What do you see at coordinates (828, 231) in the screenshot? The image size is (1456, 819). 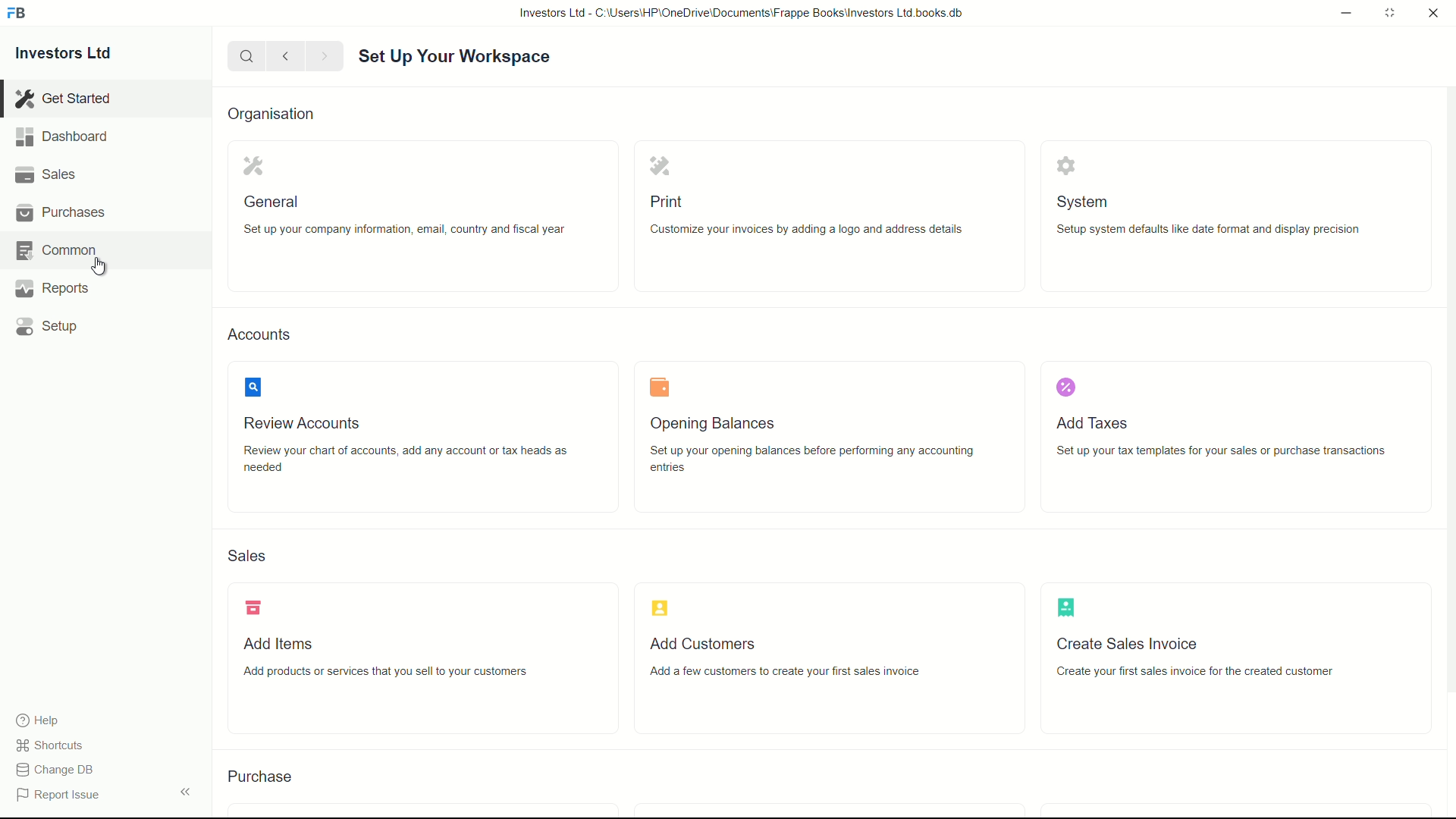 I see `Customize your invoices by adding a logo and address details` at bounding box center [828, 231].